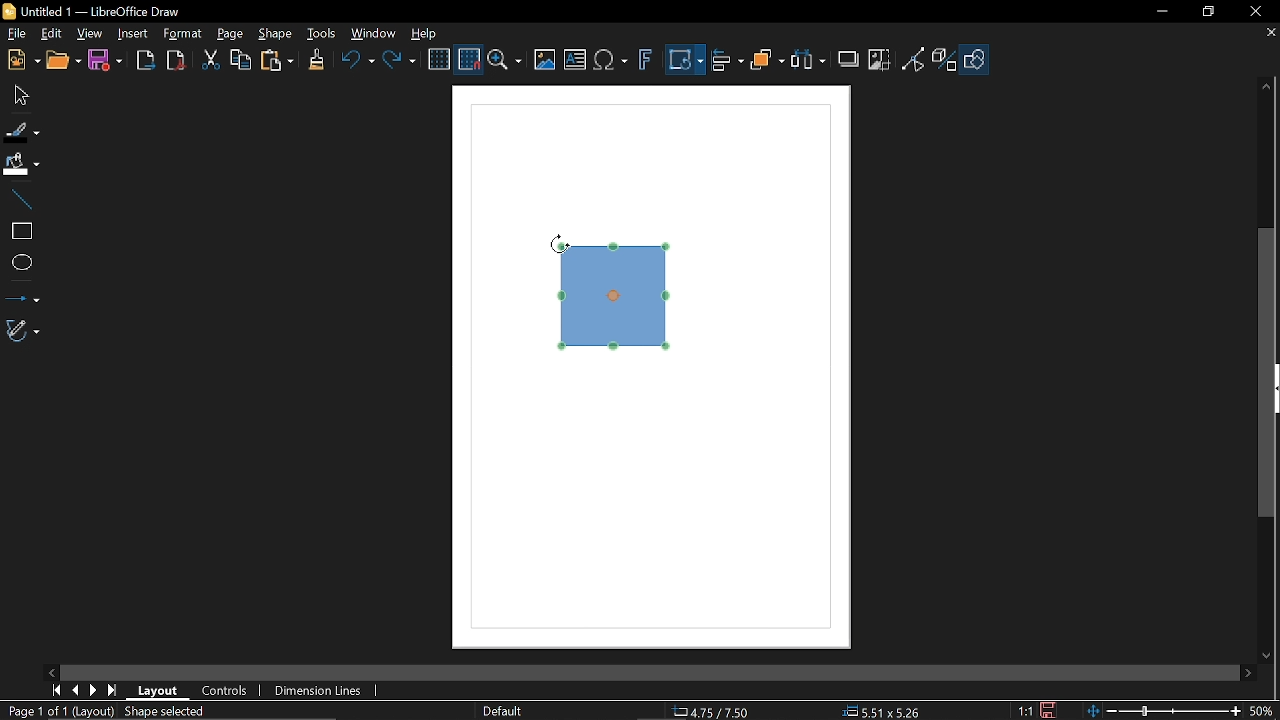 This screenshot has height=720, width=1280. What do you see at coordinates (879, 60) in the screenshot?
I see `Crop` at bounding box center [879, 60].